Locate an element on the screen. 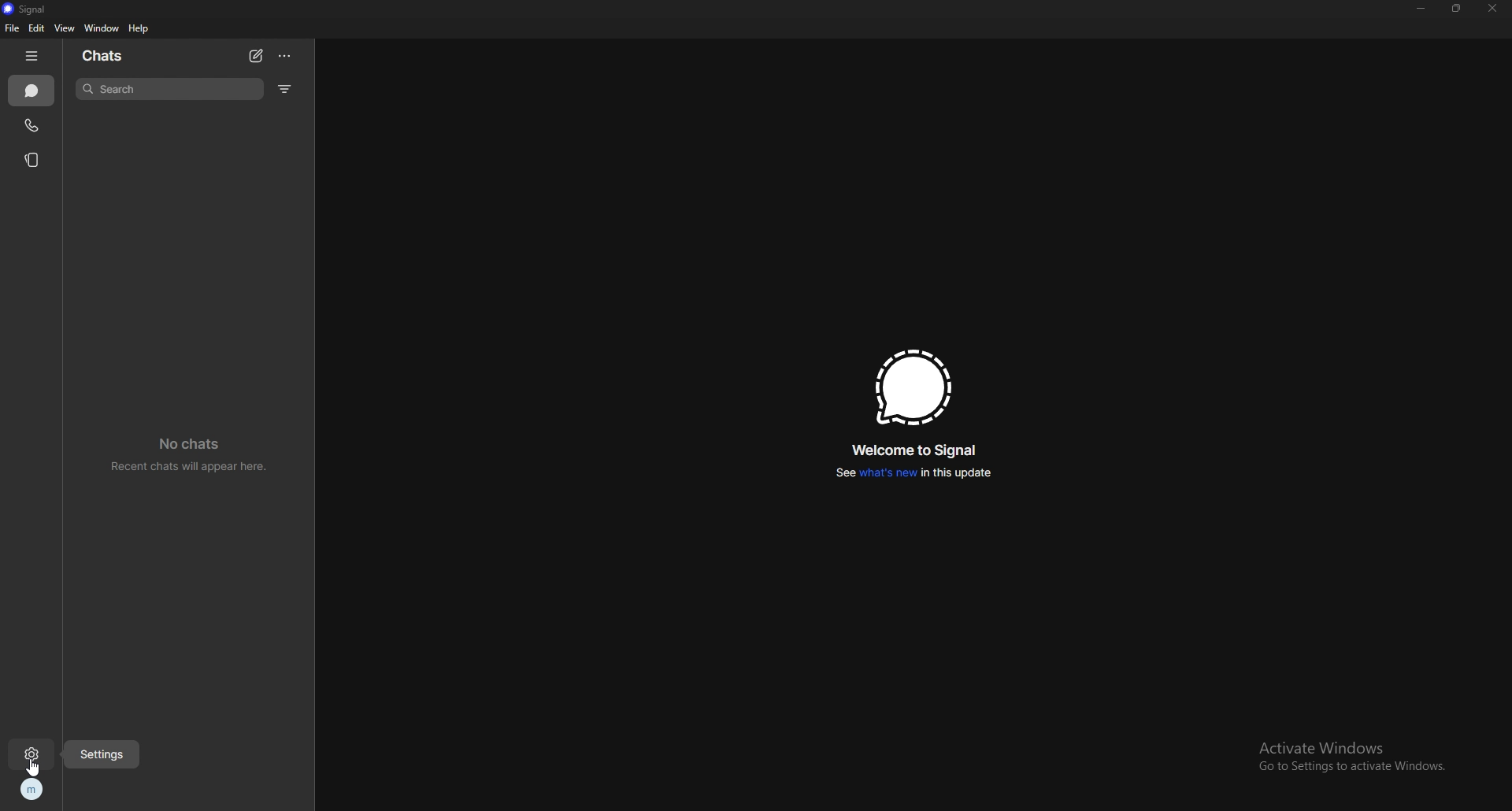 The image size is (1512, 811). chats is located at coordinates (113, 54).